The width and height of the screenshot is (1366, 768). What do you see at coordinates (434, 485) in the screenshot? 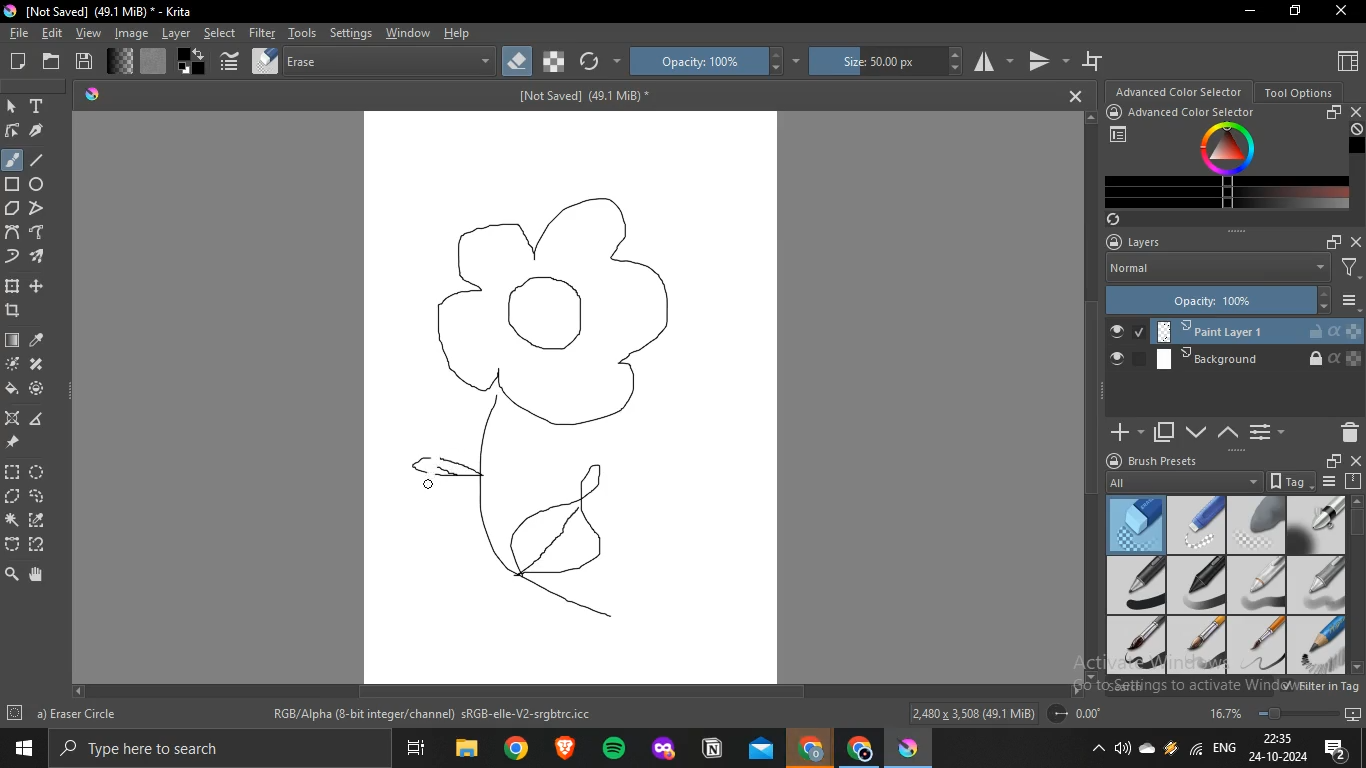
I see `cursor` at bounding box center [434, 485].